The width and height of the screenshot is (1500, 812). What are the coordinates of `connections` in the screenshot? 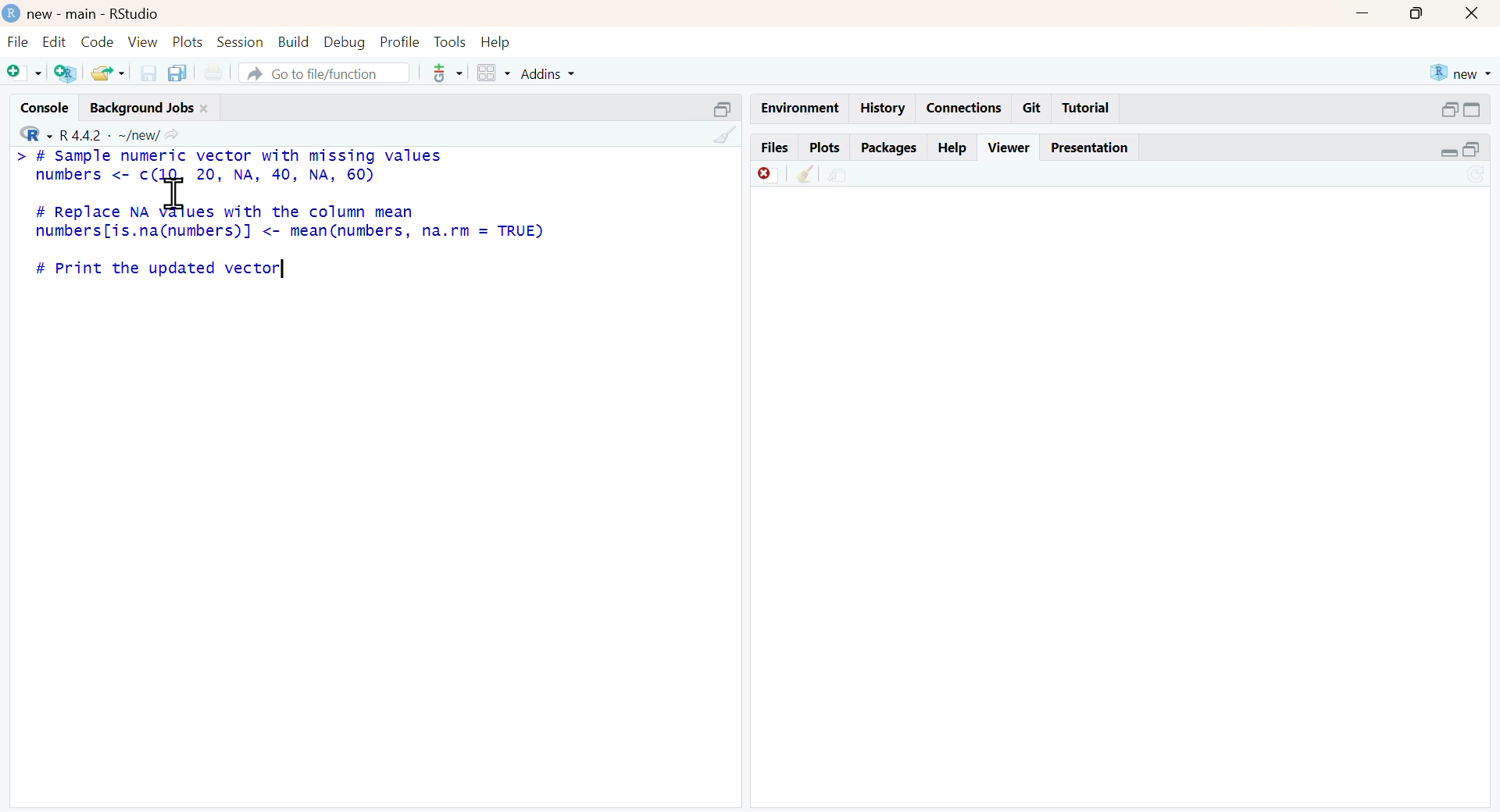 It's located at (968, 107).